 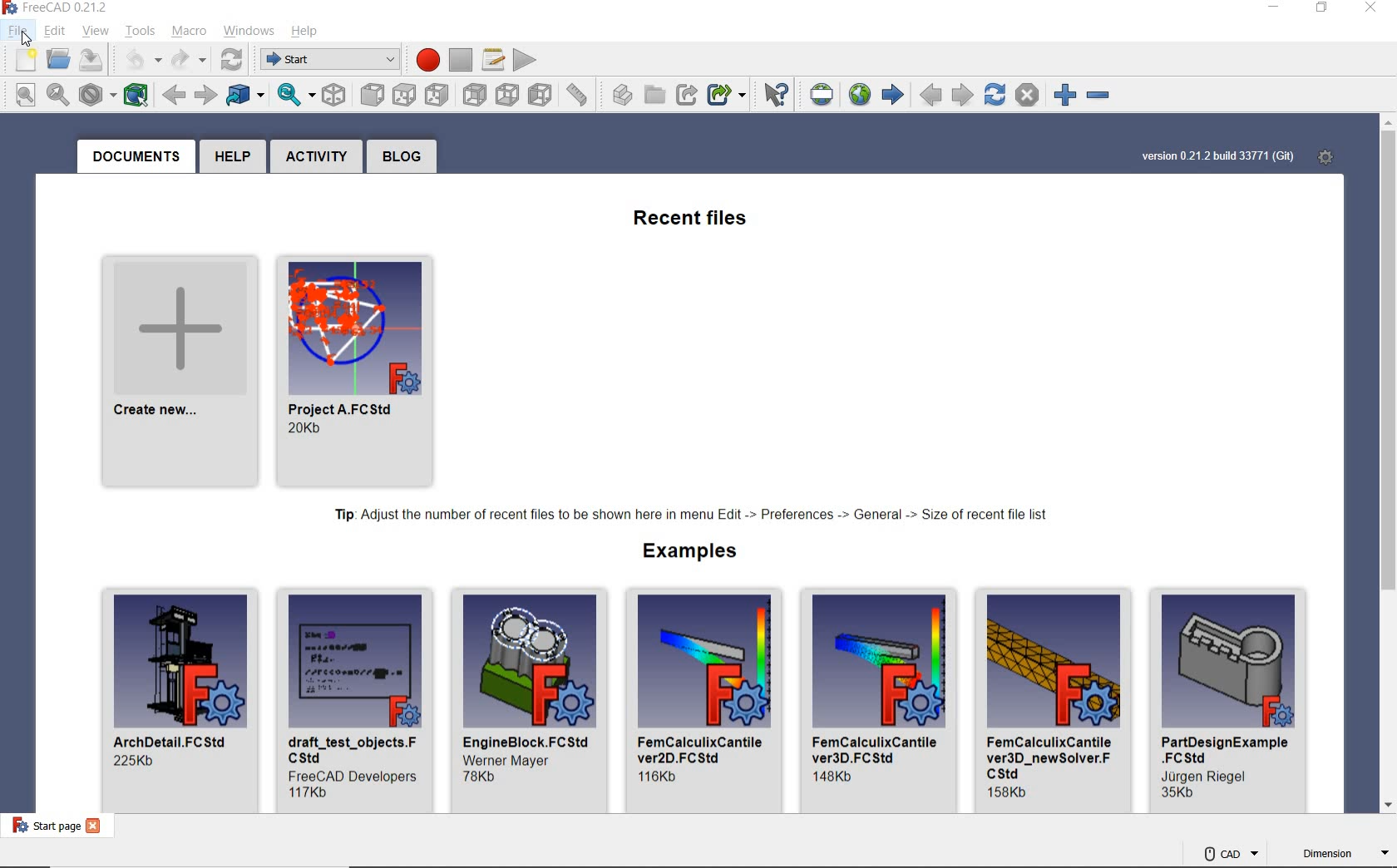 What do you see at coordinates (703, 748) in the screenshot?
I see `name` at bounding box center [703, 748].